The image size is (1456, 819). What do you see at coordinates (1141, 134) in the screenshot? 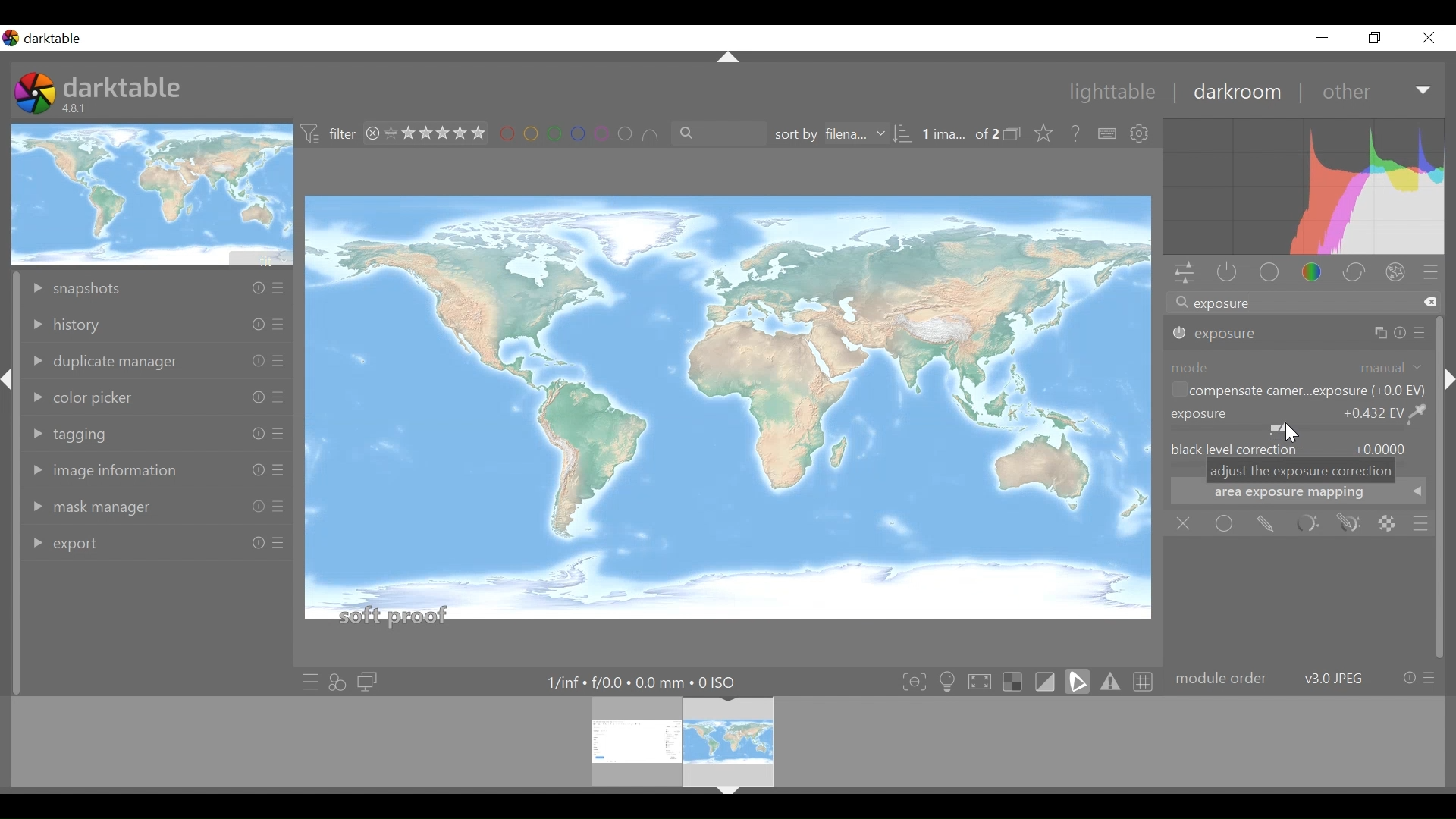
I see `show global preferences` at bounding box center [1141, 134].